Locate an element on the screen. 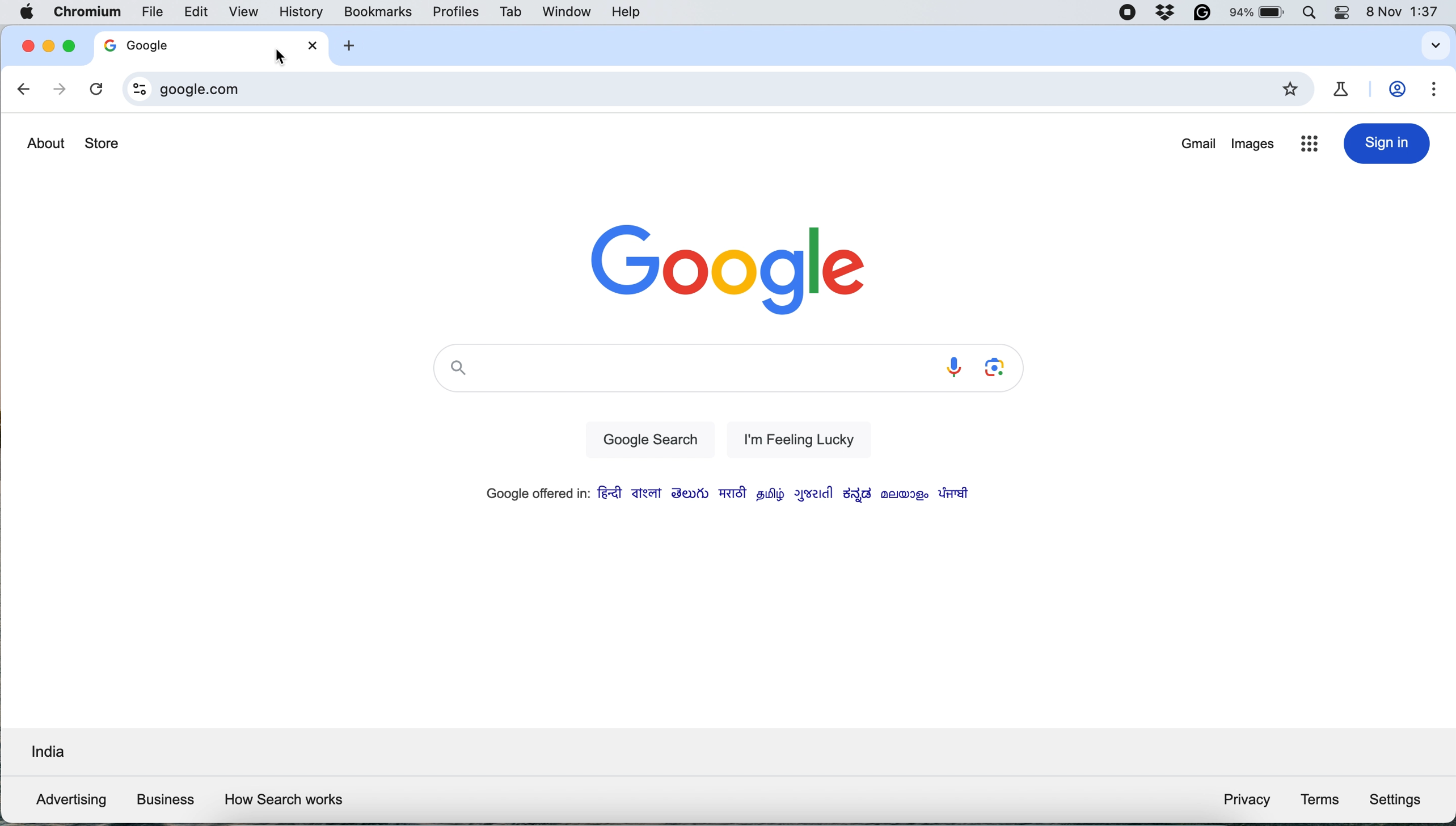  google languages is located at coordinates (724, 495).